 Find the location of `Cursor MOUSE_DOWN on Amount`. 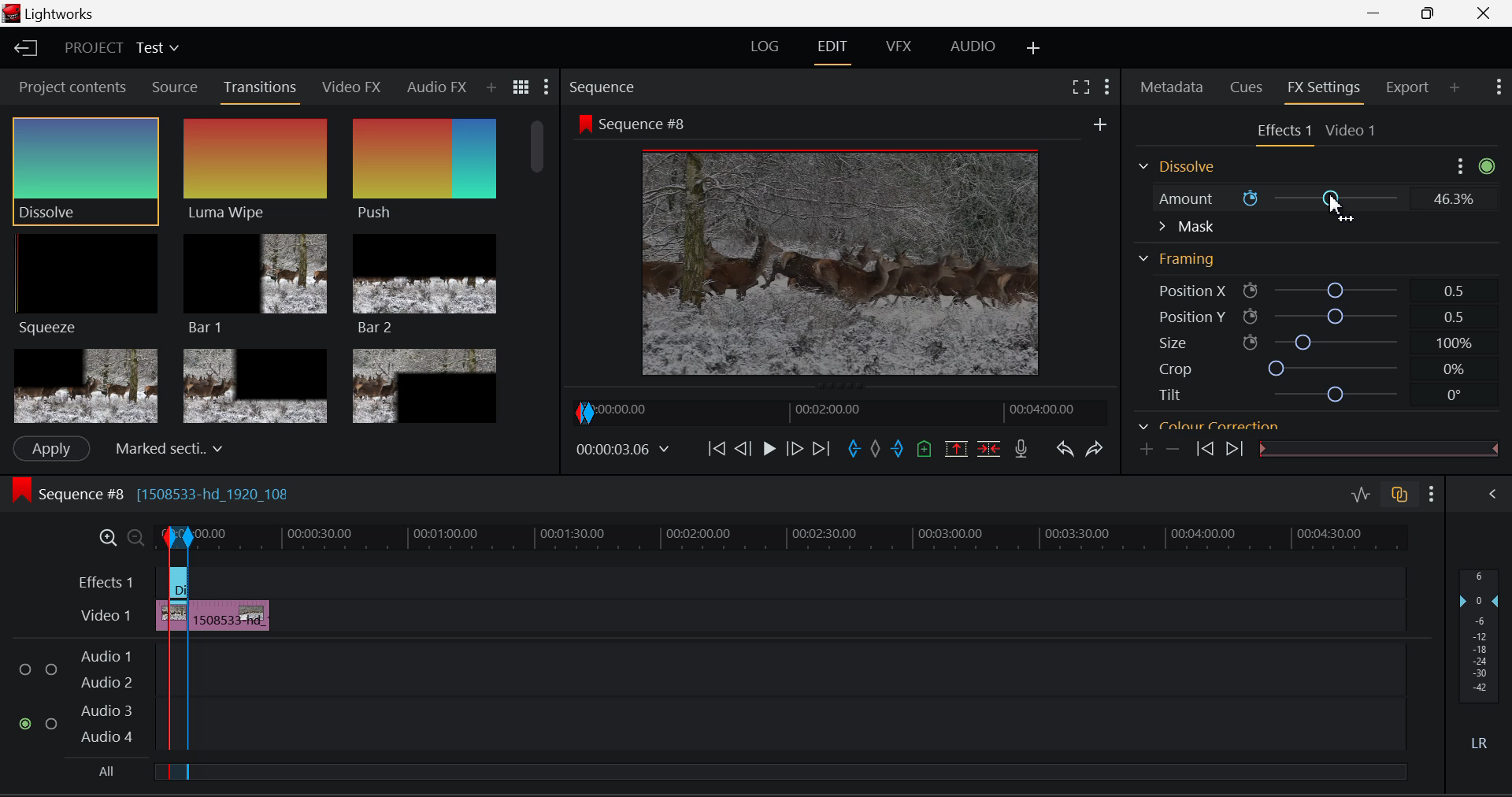

Cursor MOUSE_DOWN on Amount is located at coordinates (1312, 198).